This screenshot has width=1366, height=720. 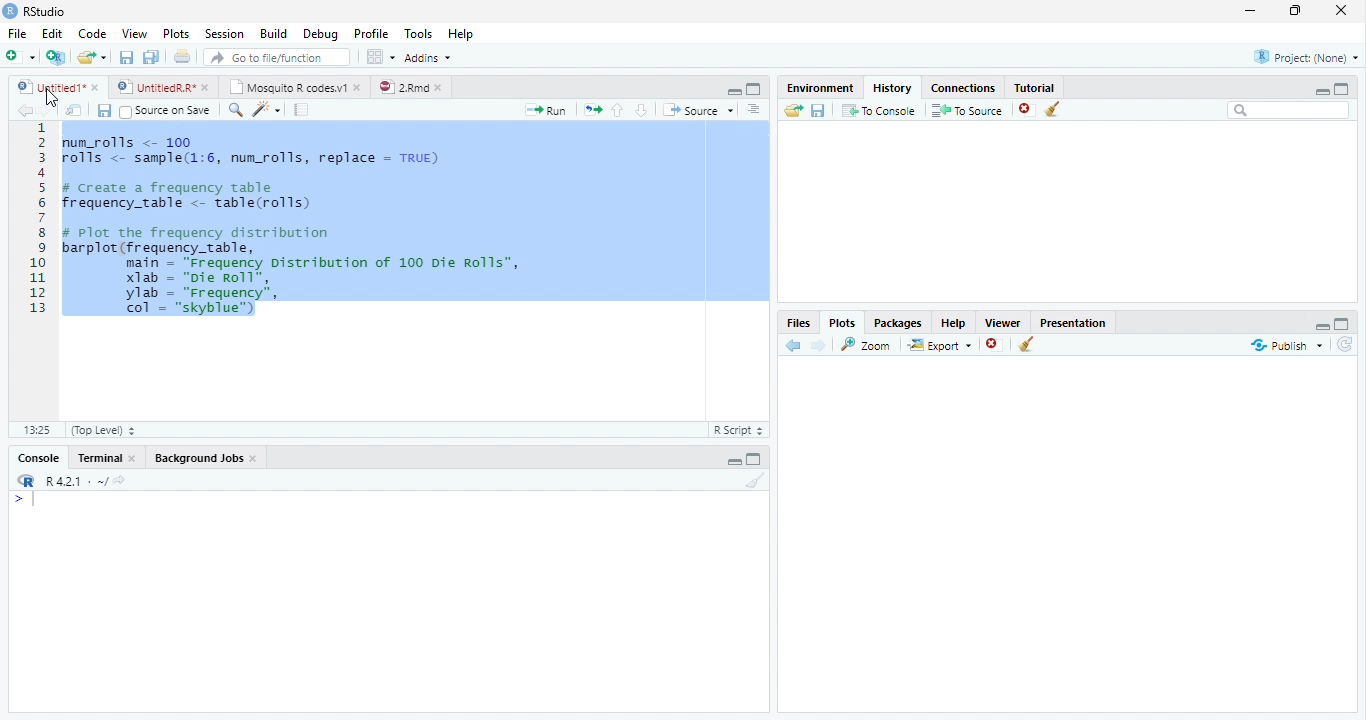 What do you see at coordinates (1322, 327) in the screenshot?
I see `Hide` at bounding box center [1322, 327].